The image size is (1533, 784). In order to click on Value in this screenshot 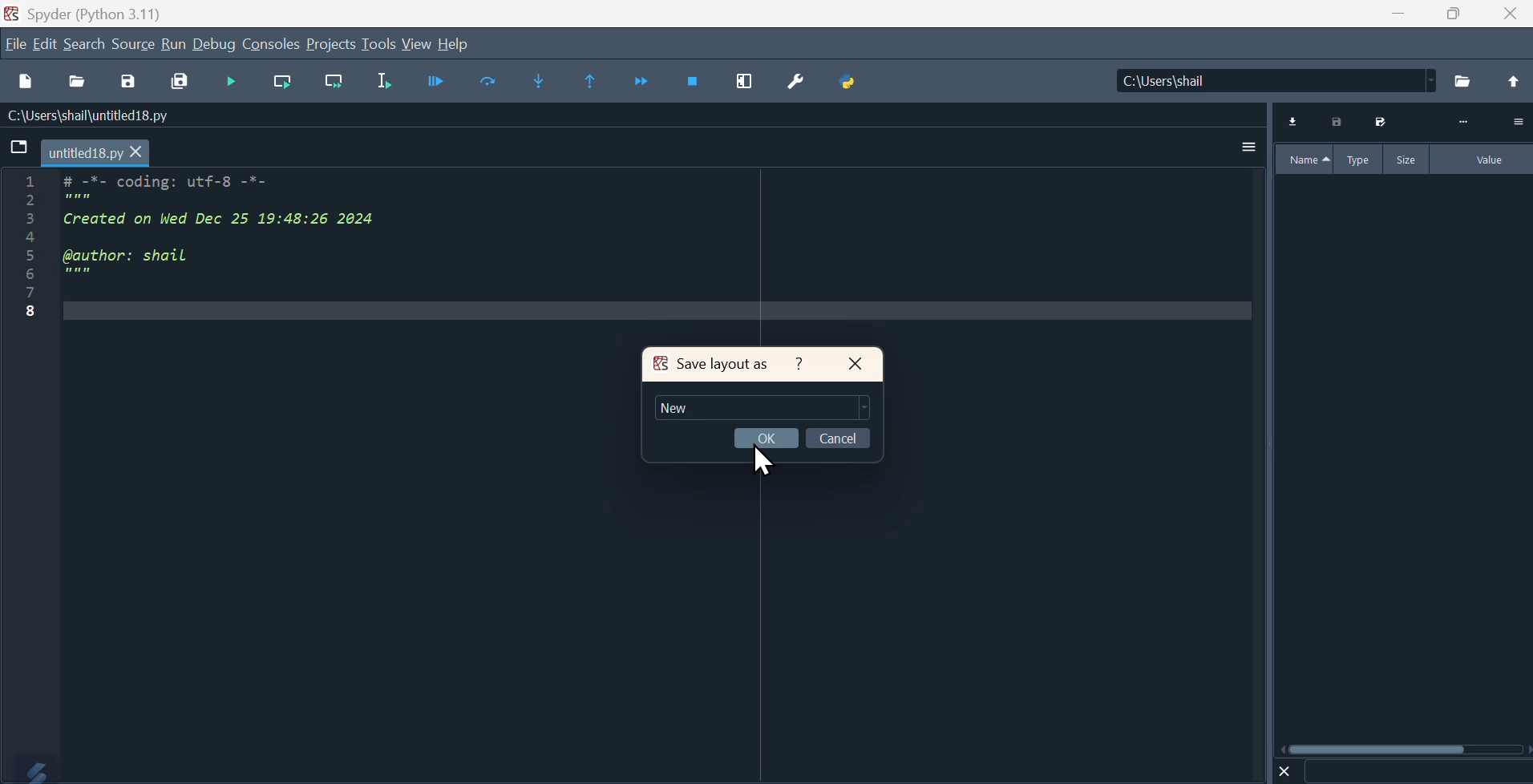, I will do `click(1483, 160)`.